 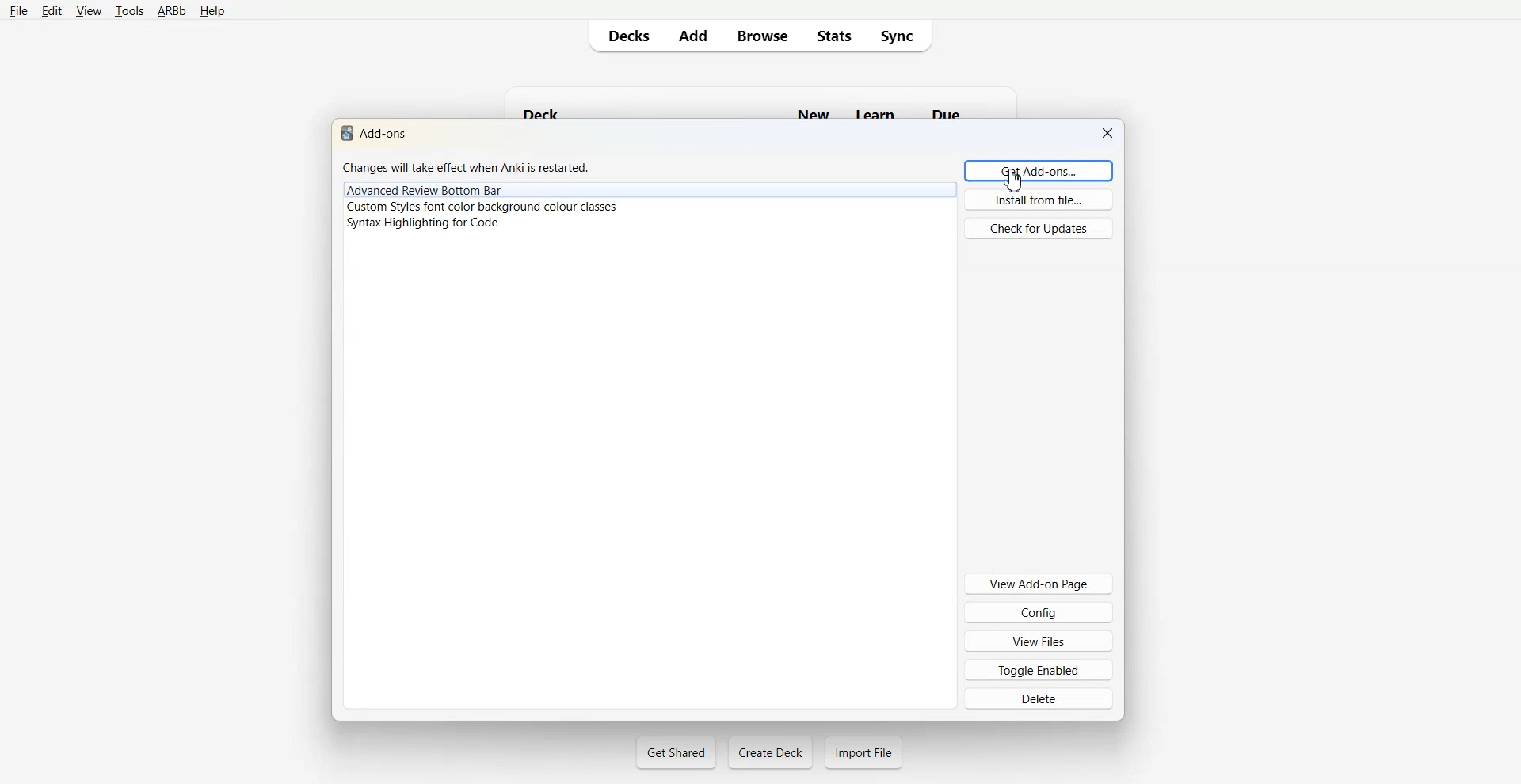 What do you see at coordinates (1039, 170) in the screenshot?
I see `Get Add-ons` at bounding box center [1039, 170].